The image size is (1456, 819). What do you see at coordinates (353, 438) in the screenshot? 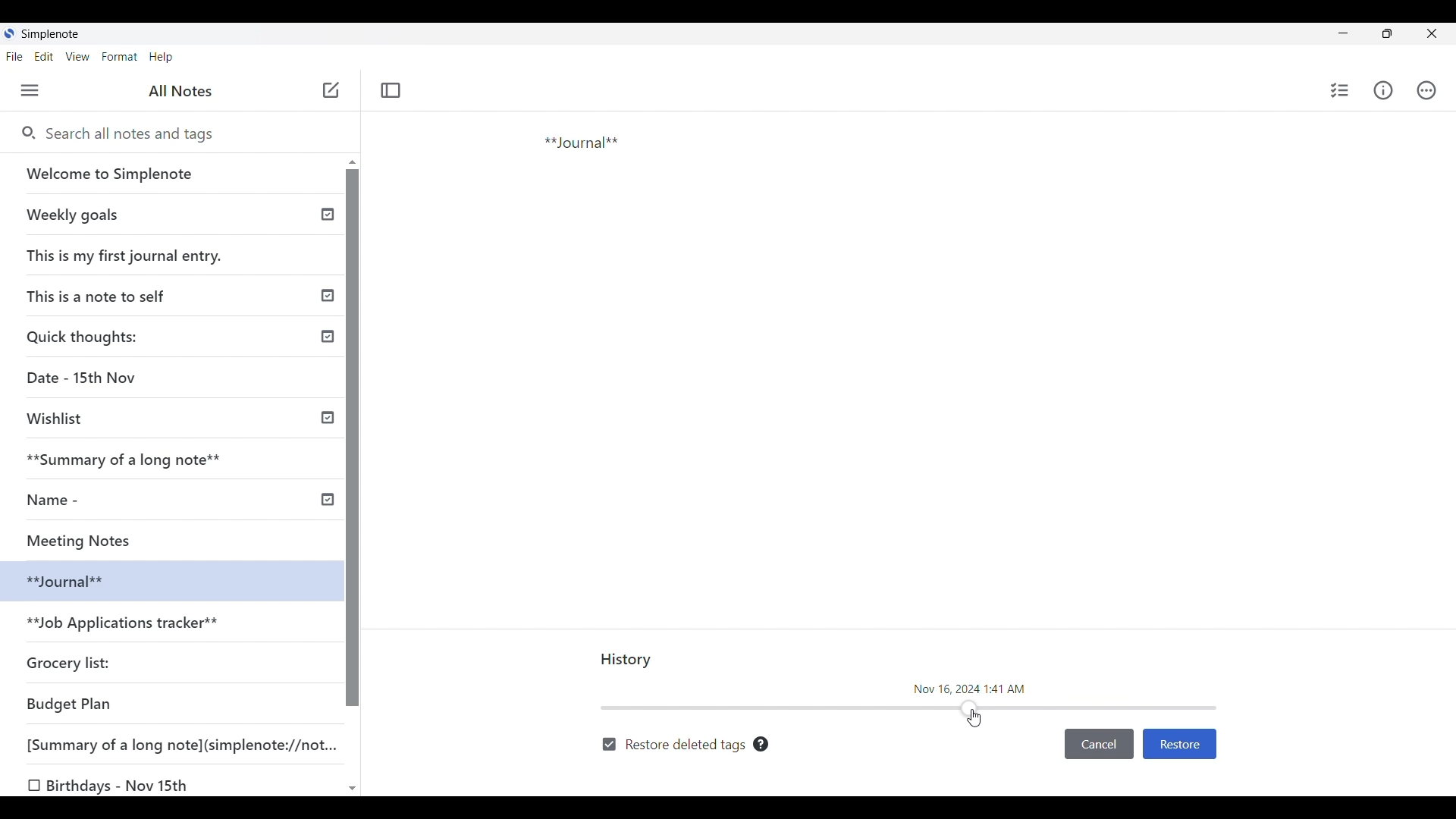
I see `Vertical slide bar for left panel` at bounding box center [353, 438].